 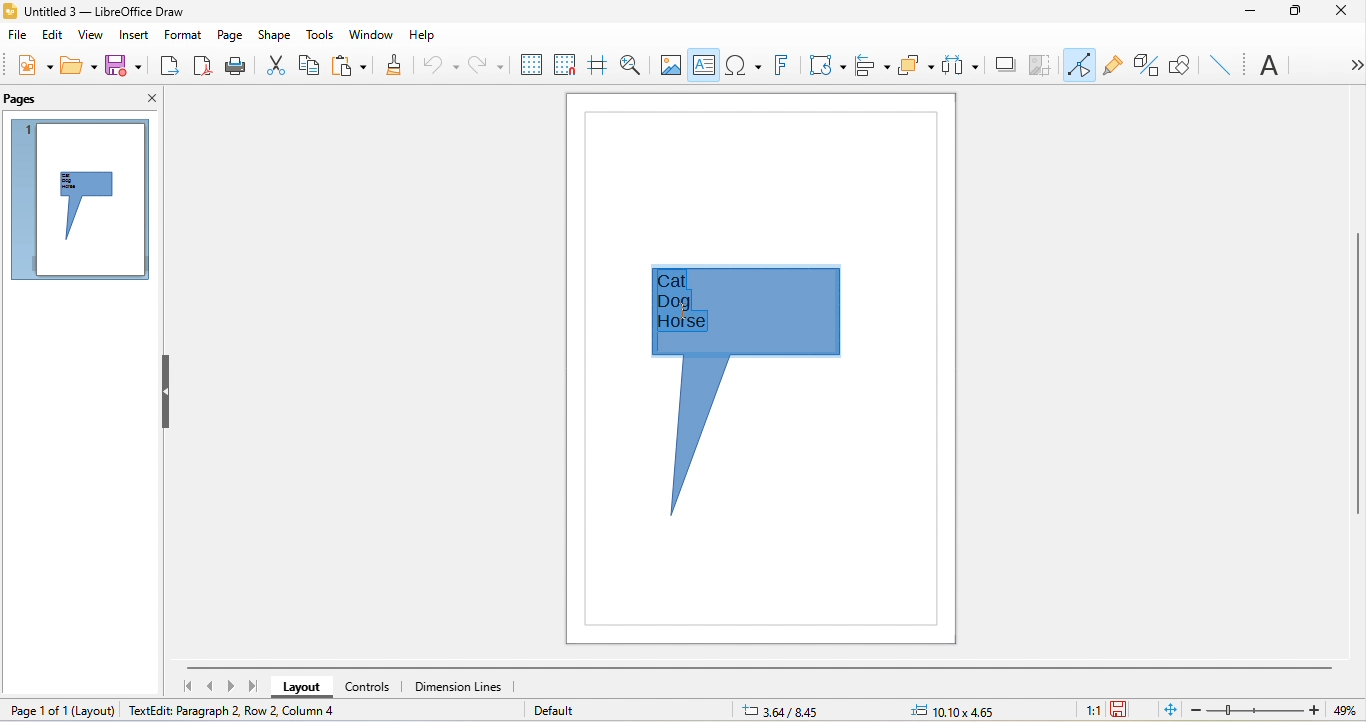 I want to click on align object, so click(x=870, y=63).